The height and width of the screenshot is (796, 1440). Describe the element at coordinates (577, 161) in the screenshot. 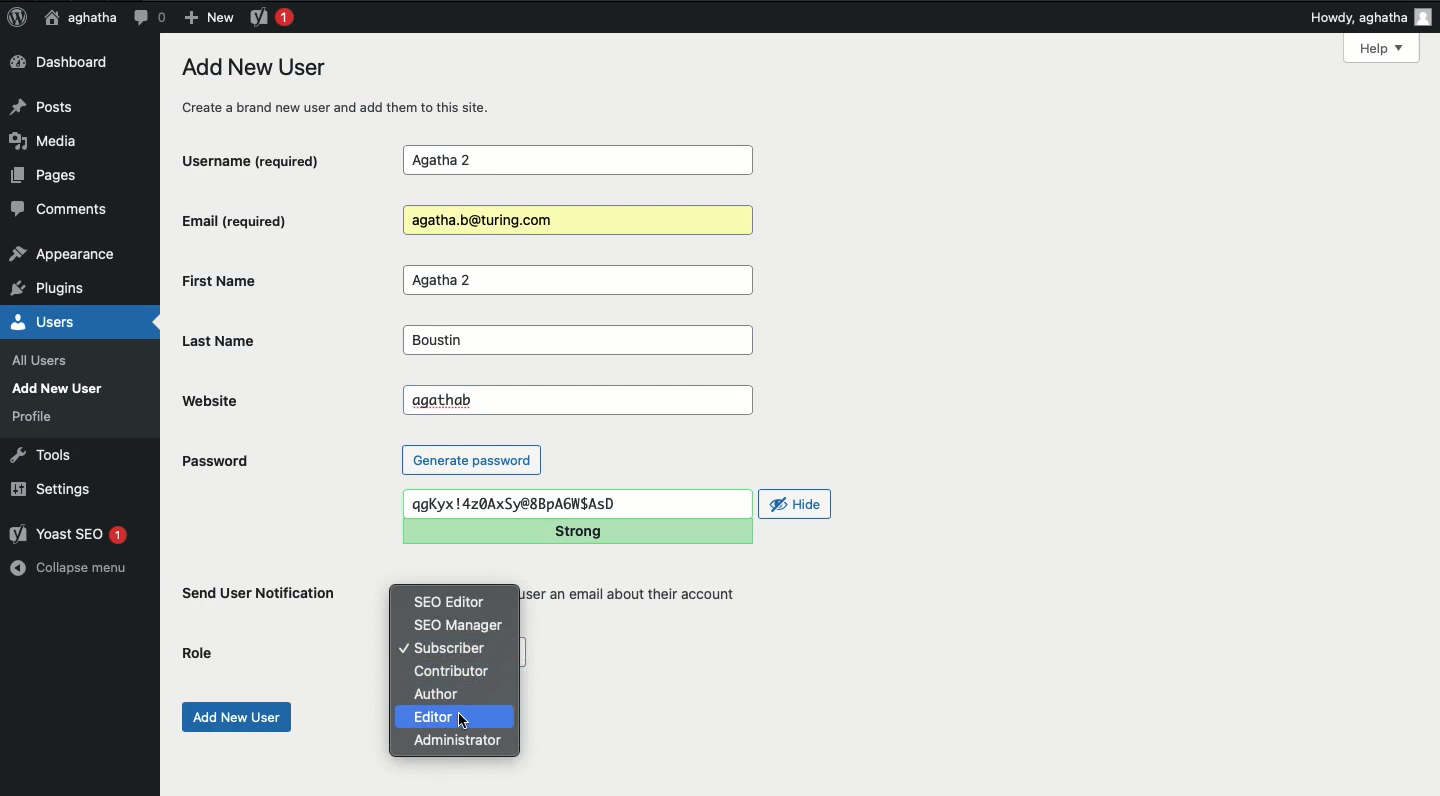

I see `Agatha 2` at that location.